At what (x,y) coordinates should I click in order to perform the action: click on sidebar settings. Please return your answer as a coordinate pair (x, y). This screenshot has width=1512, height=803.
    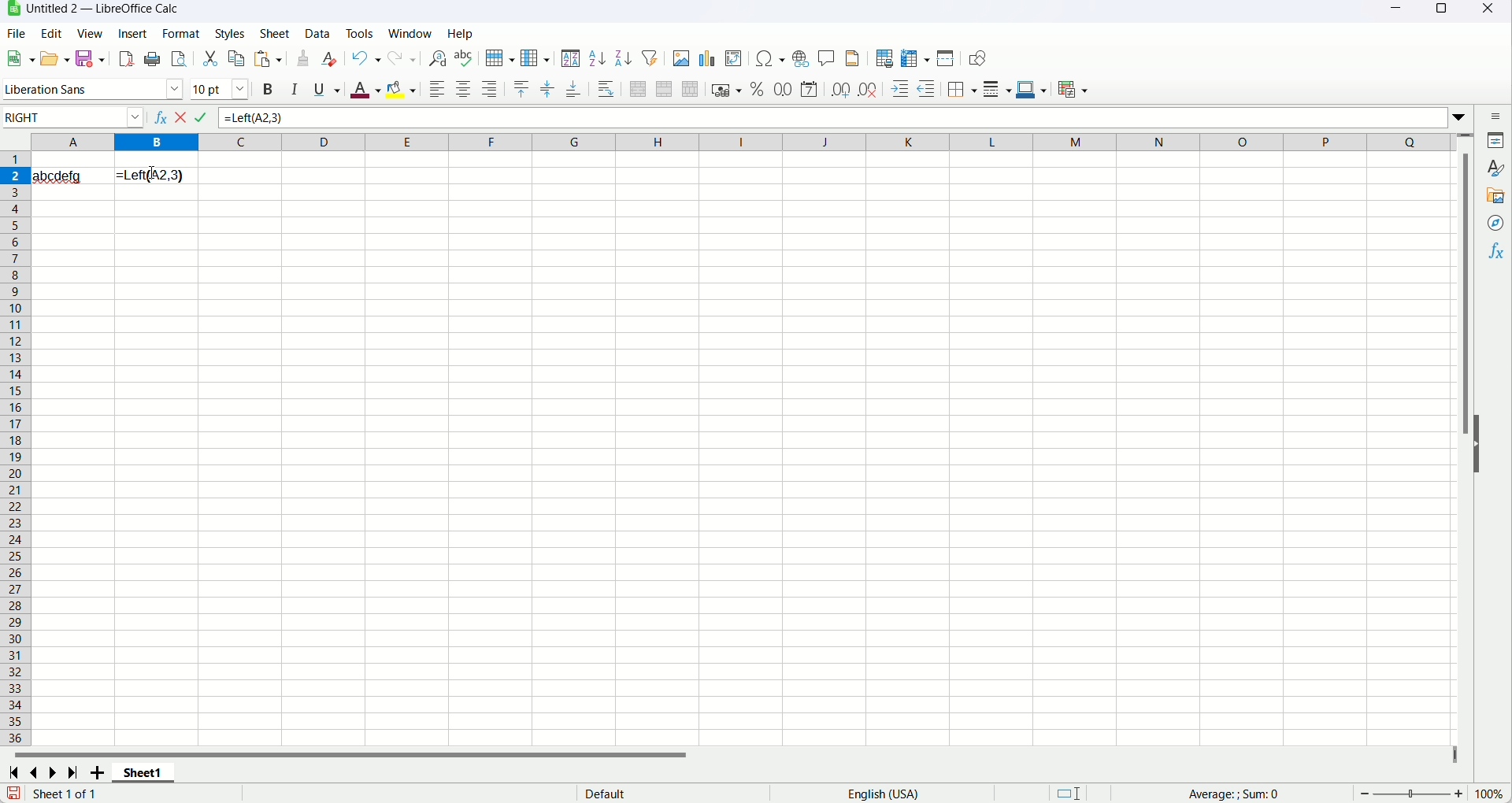
    Looking at the image, I should click on (1495, 116).